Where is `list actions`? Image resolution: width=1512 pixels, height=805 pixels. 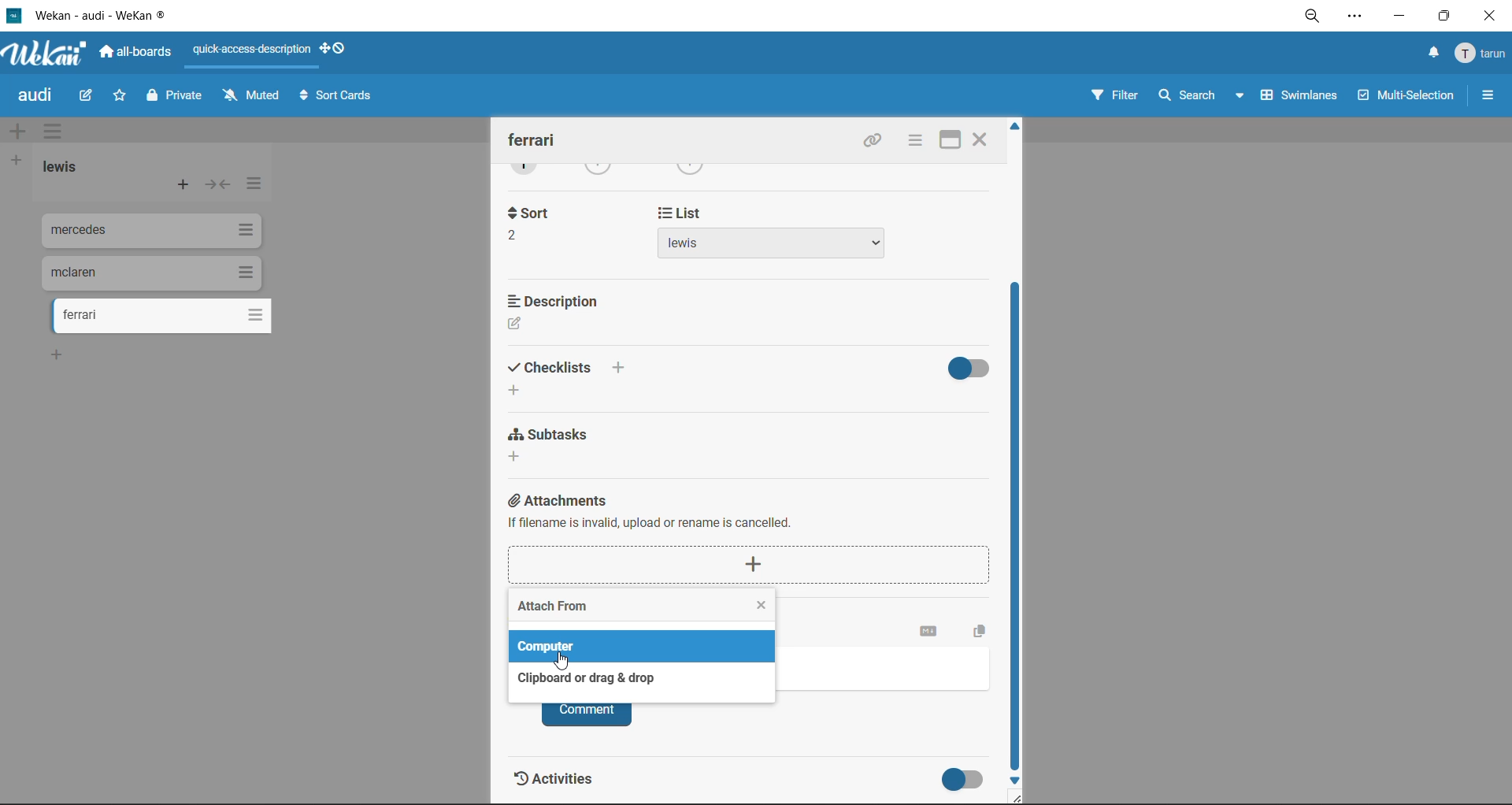 list actions is located at coordinates (258, 187).